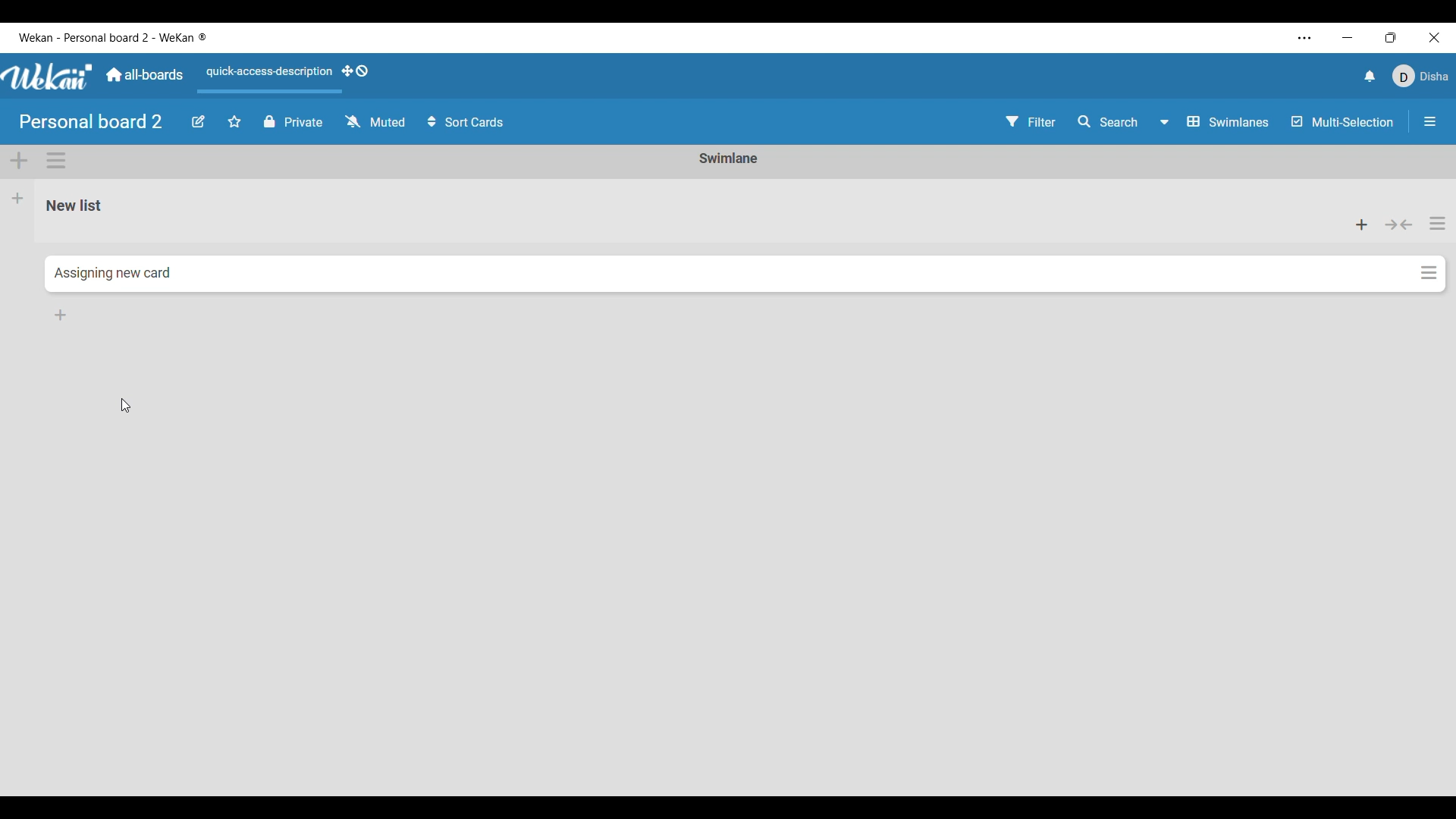 The height and width of the screenshot is (819, 1456). I want to click on Show interface in a smaller tab , so click(1392, 37).